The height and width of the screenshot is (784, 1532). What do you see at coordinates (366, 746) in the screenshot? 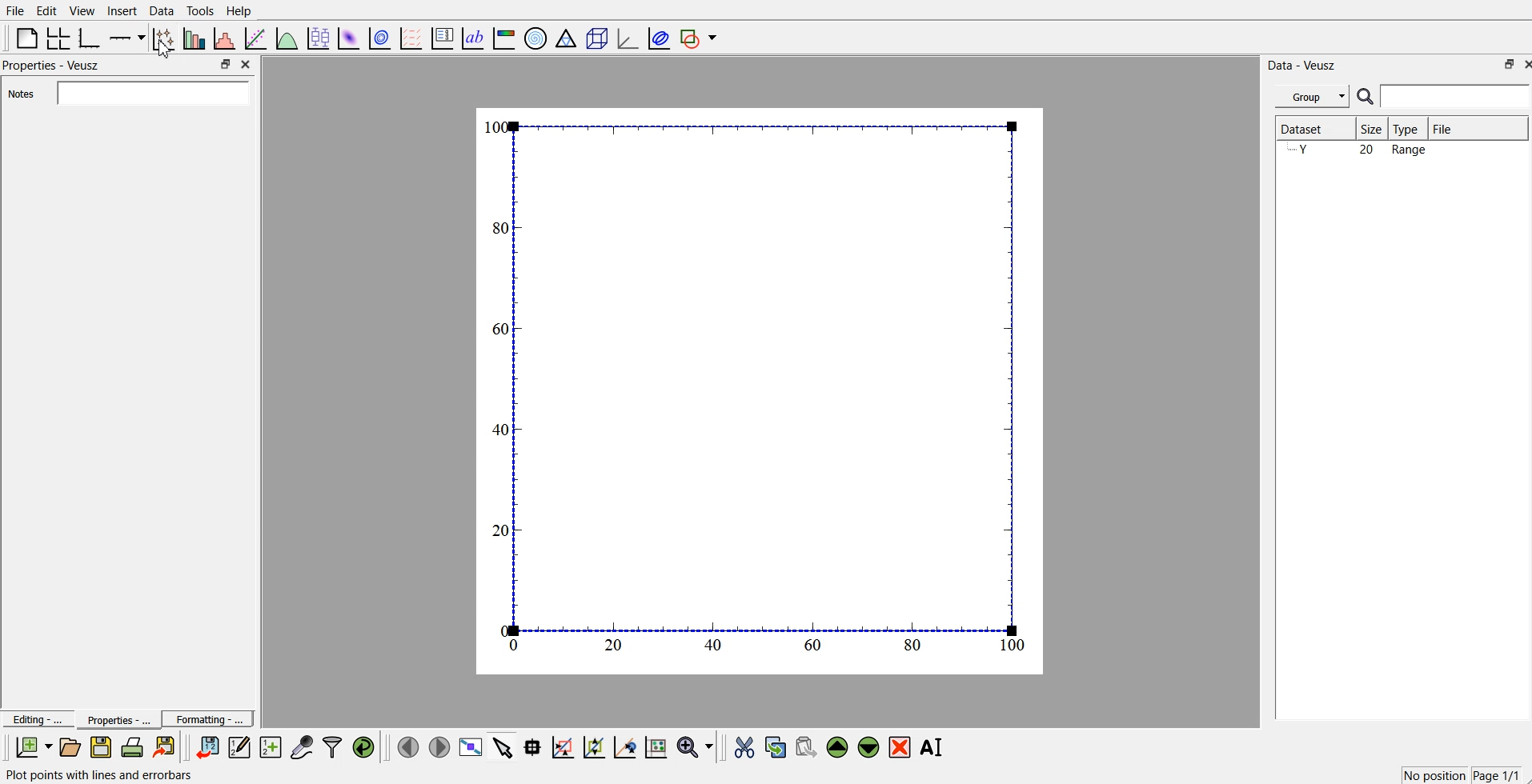
I see `reload linked datasets` at bounding box center [366, 746].